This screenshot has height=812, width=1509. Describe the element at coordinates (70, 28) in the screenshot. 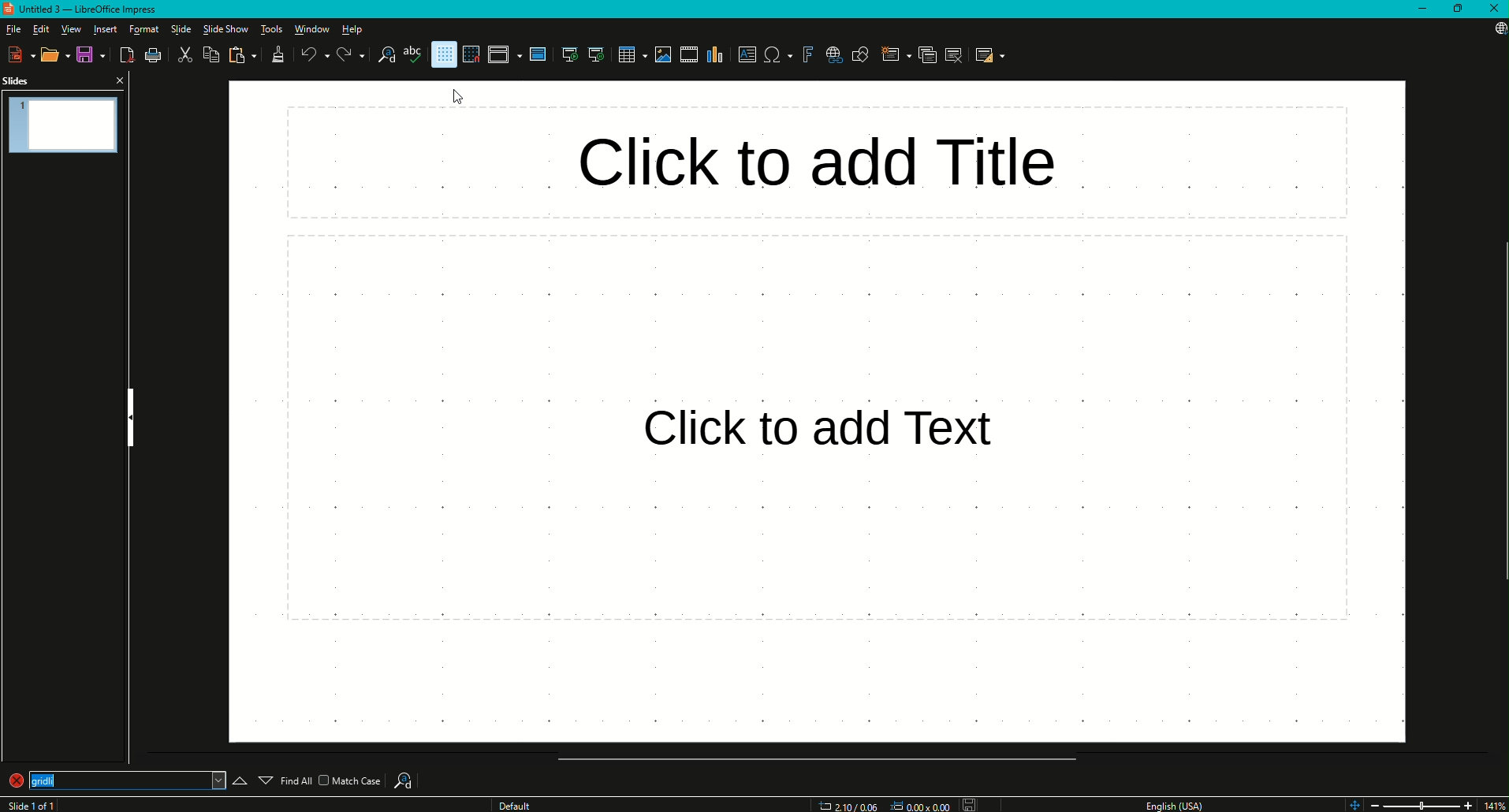

I see `View` at that location.